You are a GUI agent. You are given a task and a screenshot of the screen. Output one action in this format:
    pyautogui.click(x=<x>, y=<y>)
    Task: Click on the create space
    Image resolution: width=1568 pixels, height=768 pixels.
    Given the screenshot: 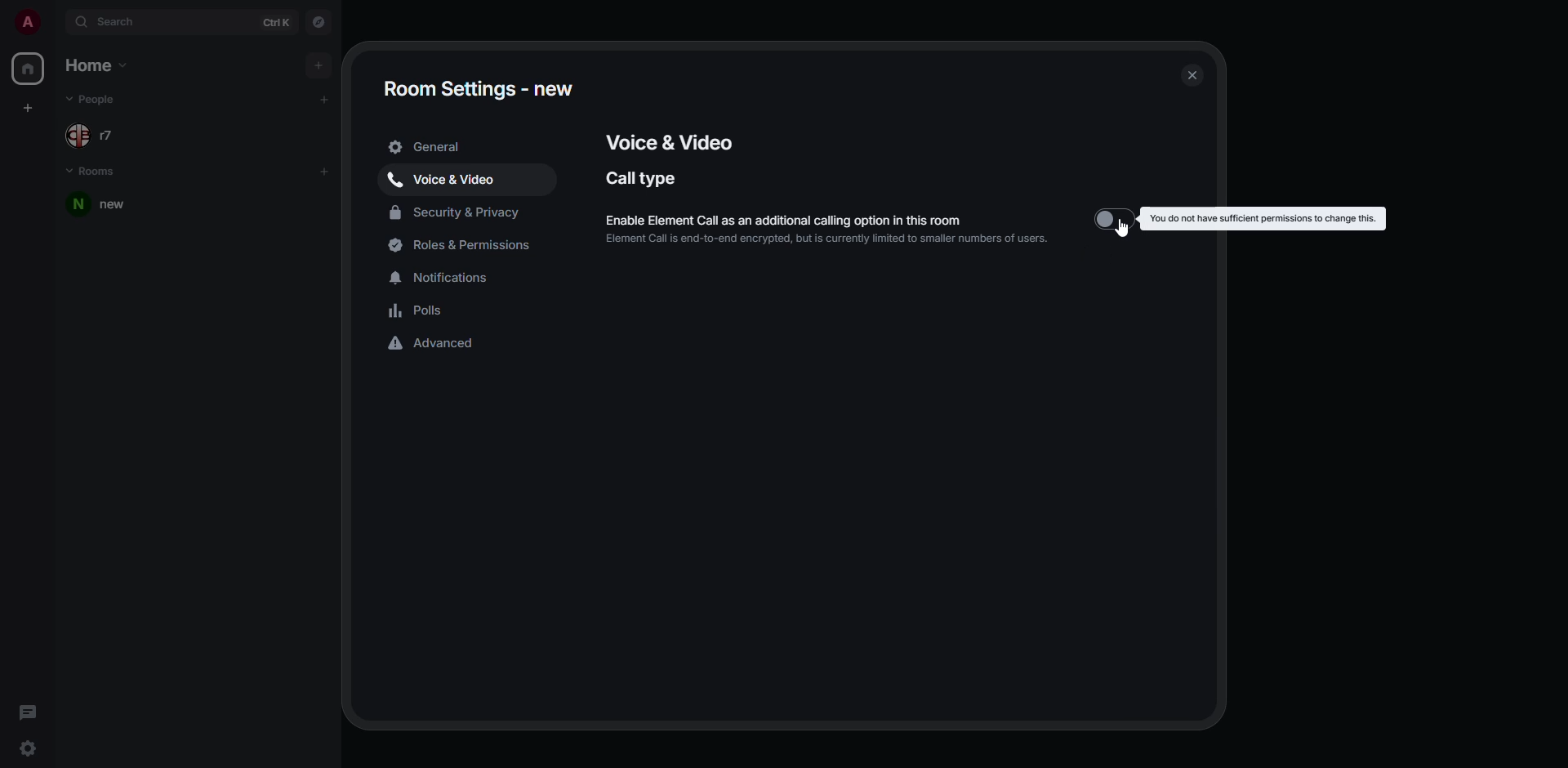 What is the action you would take?
    pyautogui.click(x=30, y=108)
    